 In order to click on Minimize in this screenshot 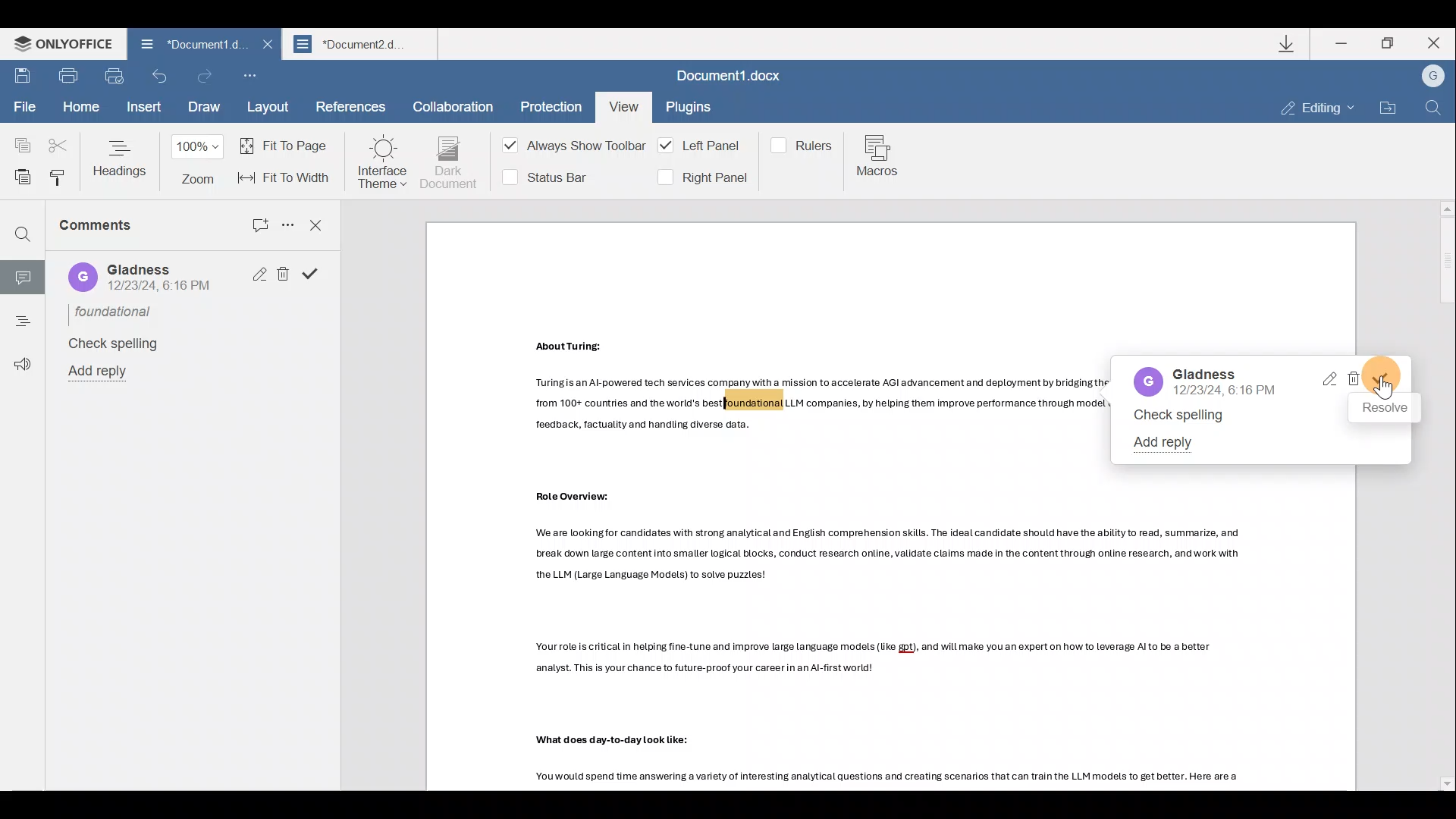, I will do `click(1343, 42)`.